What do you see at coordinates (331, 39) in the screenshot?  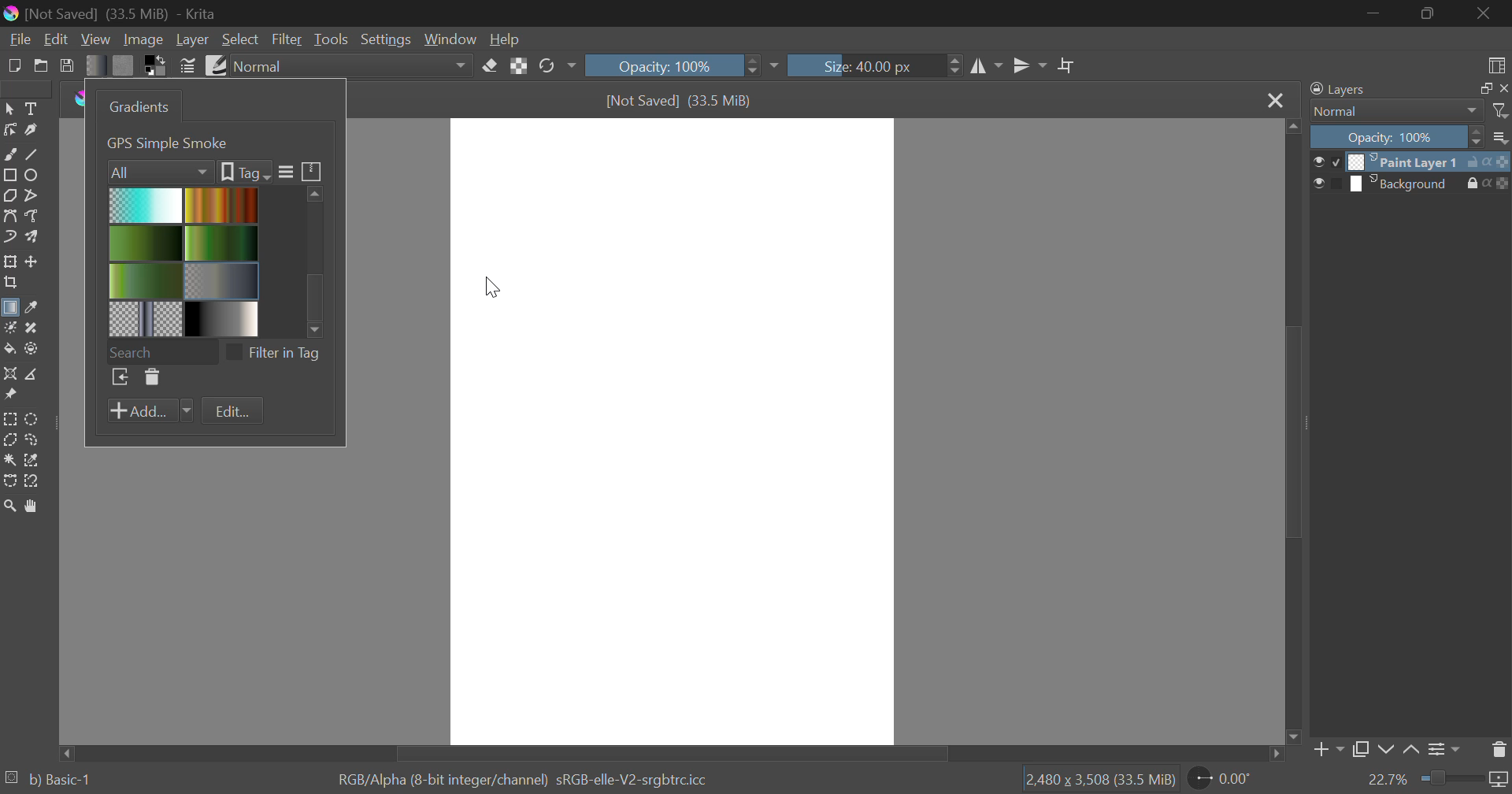 I see `Tools` at bounding box center [331, 39].